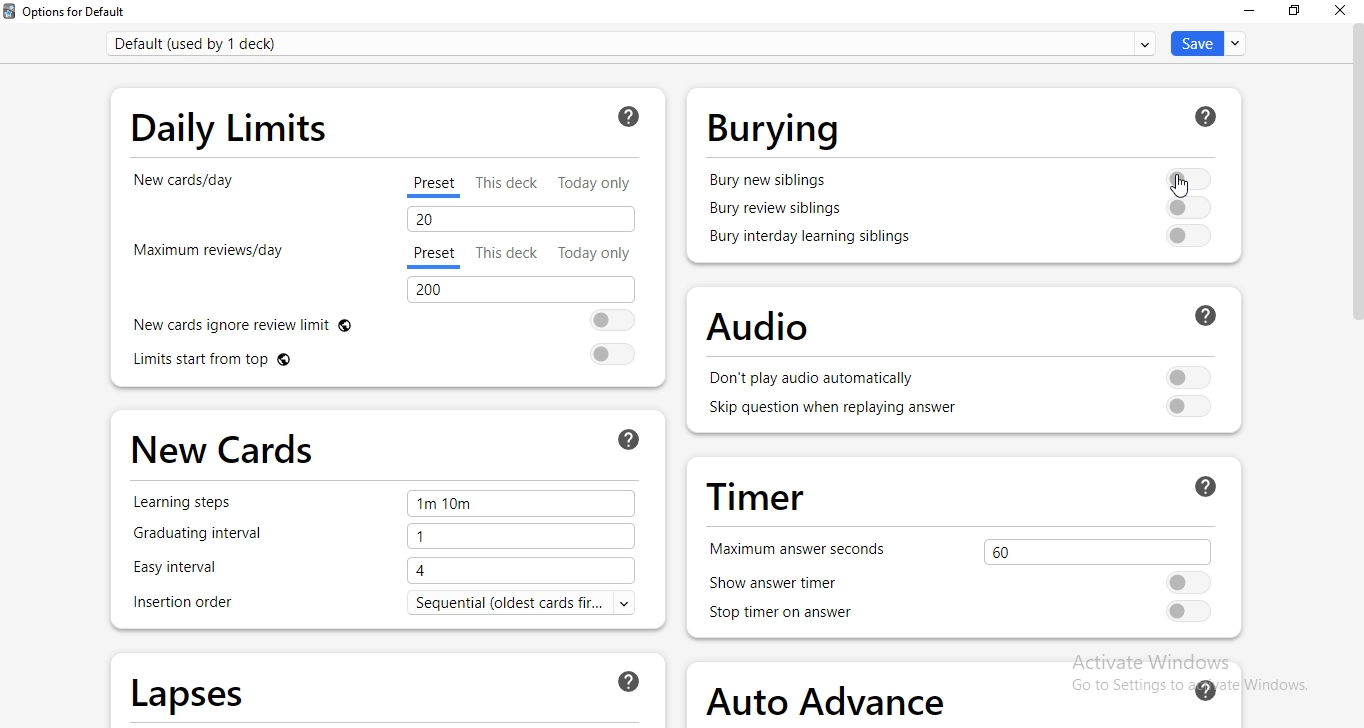 This screenshot has height=728, width=1364. I want to click on this deck, so click(511, 253).